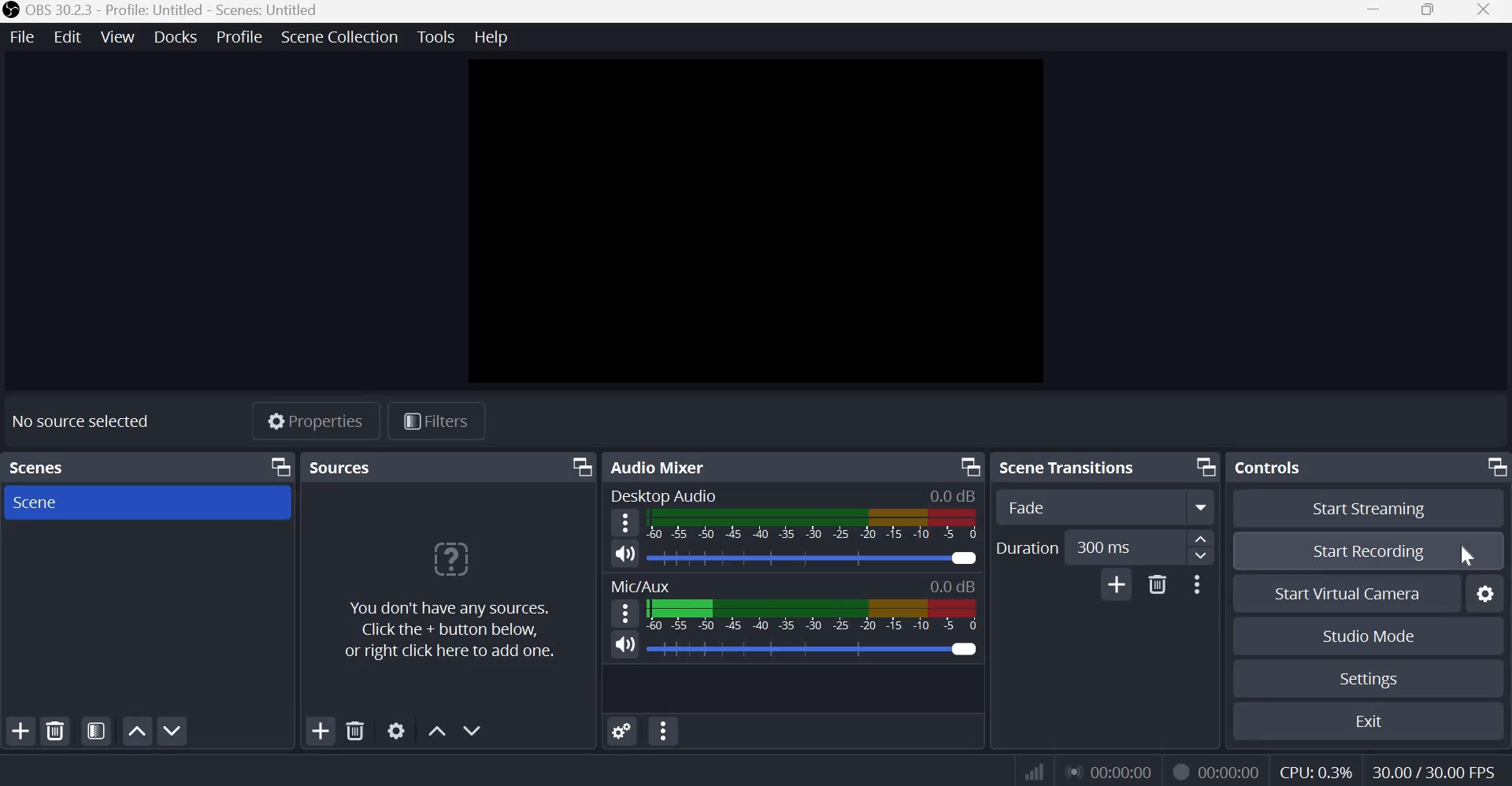  Describe the element at coordinates (1344, 594) in the screenshot. I see `Start Virtual Camera` at that location.